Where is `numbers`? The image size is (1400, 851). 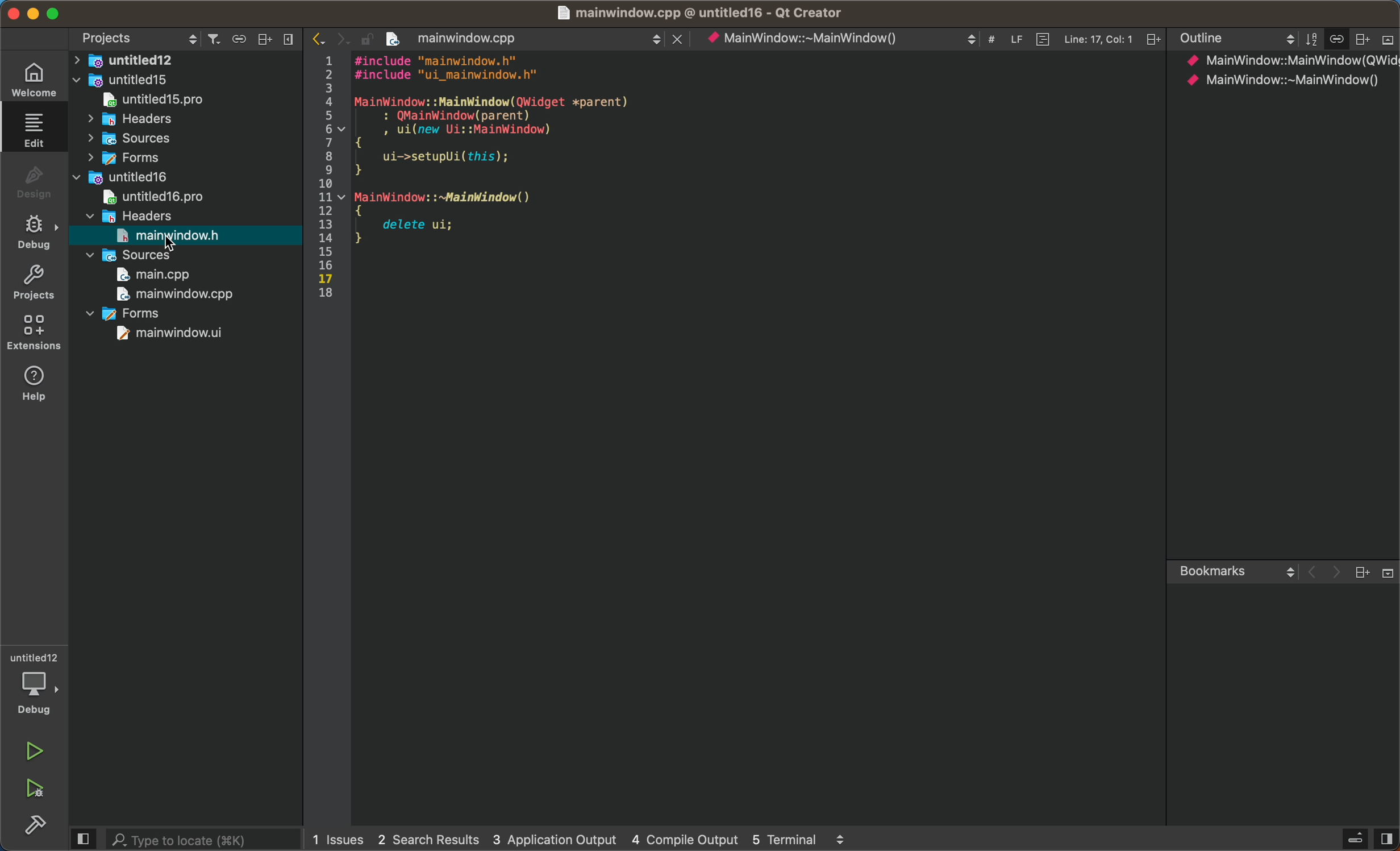
numbers is located at coordinates (327, 169).